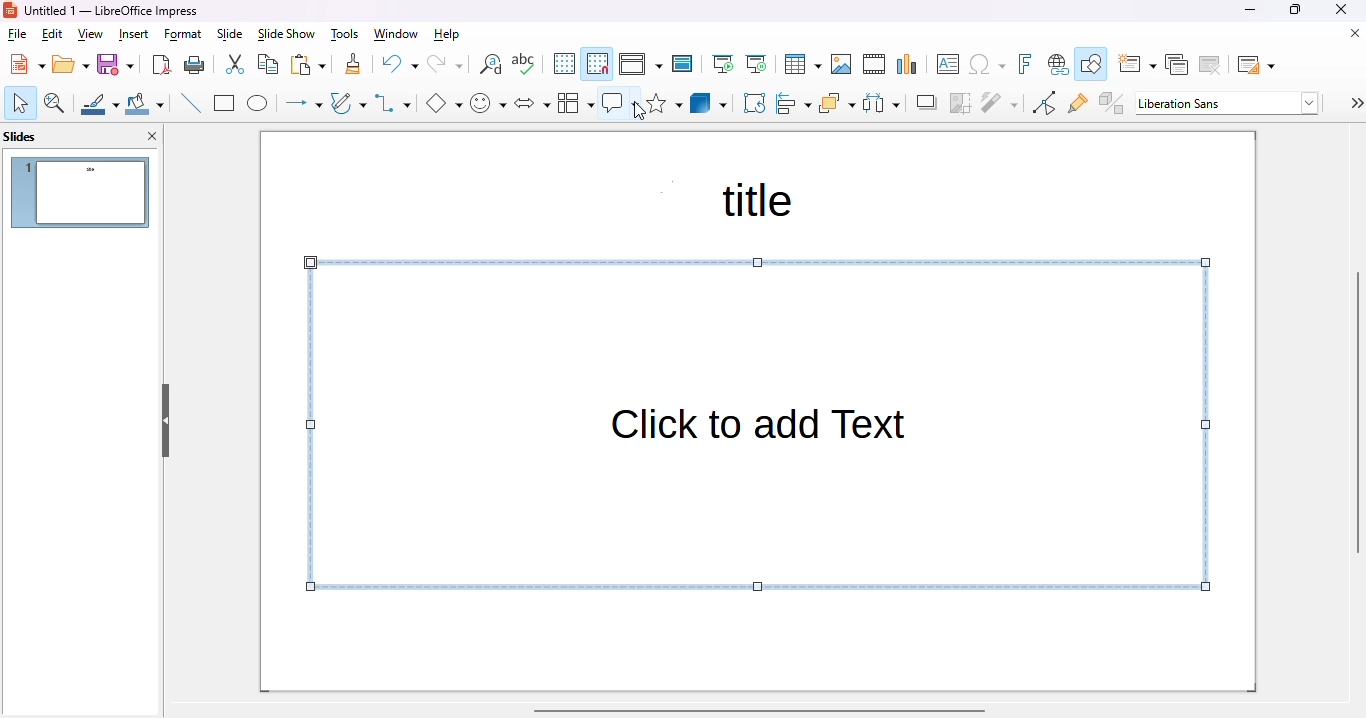  What do you see at coordinates (21, 137) in the screenshot?
I see `slides` at bounding box center [21, 137].